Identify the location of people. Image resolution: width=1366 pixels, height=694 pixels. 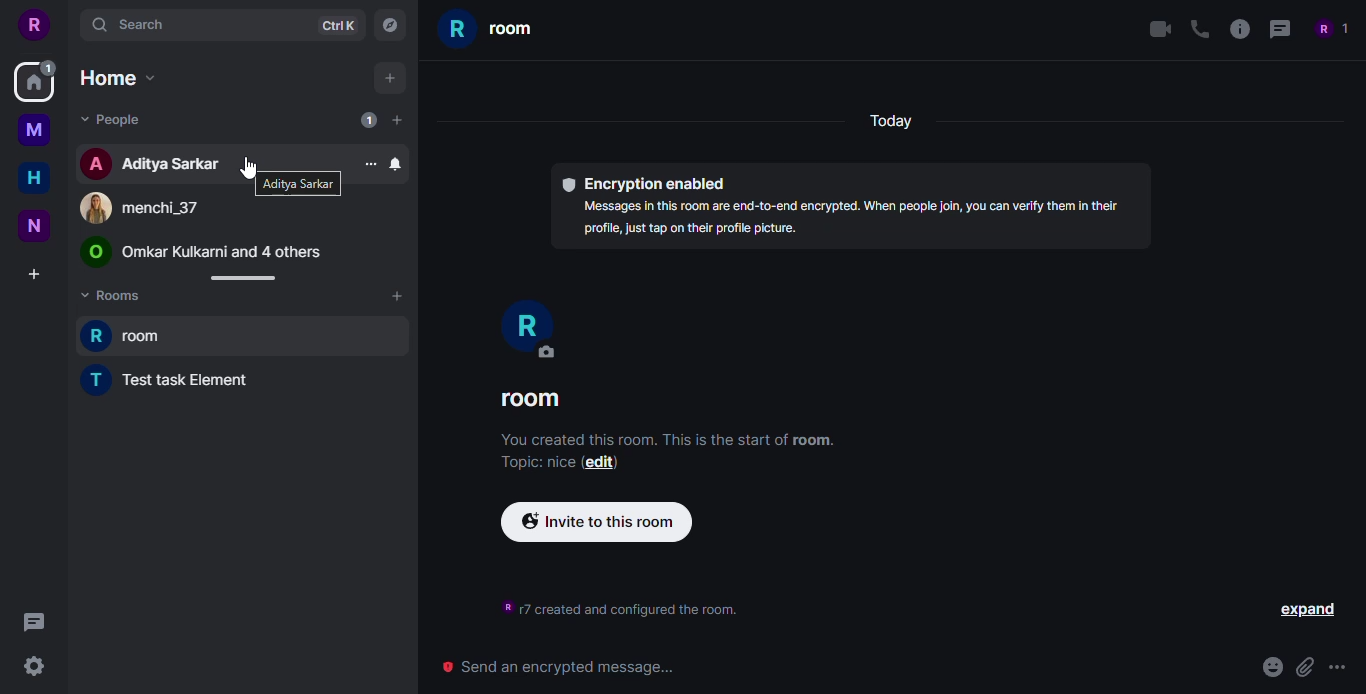
(1330, 28).